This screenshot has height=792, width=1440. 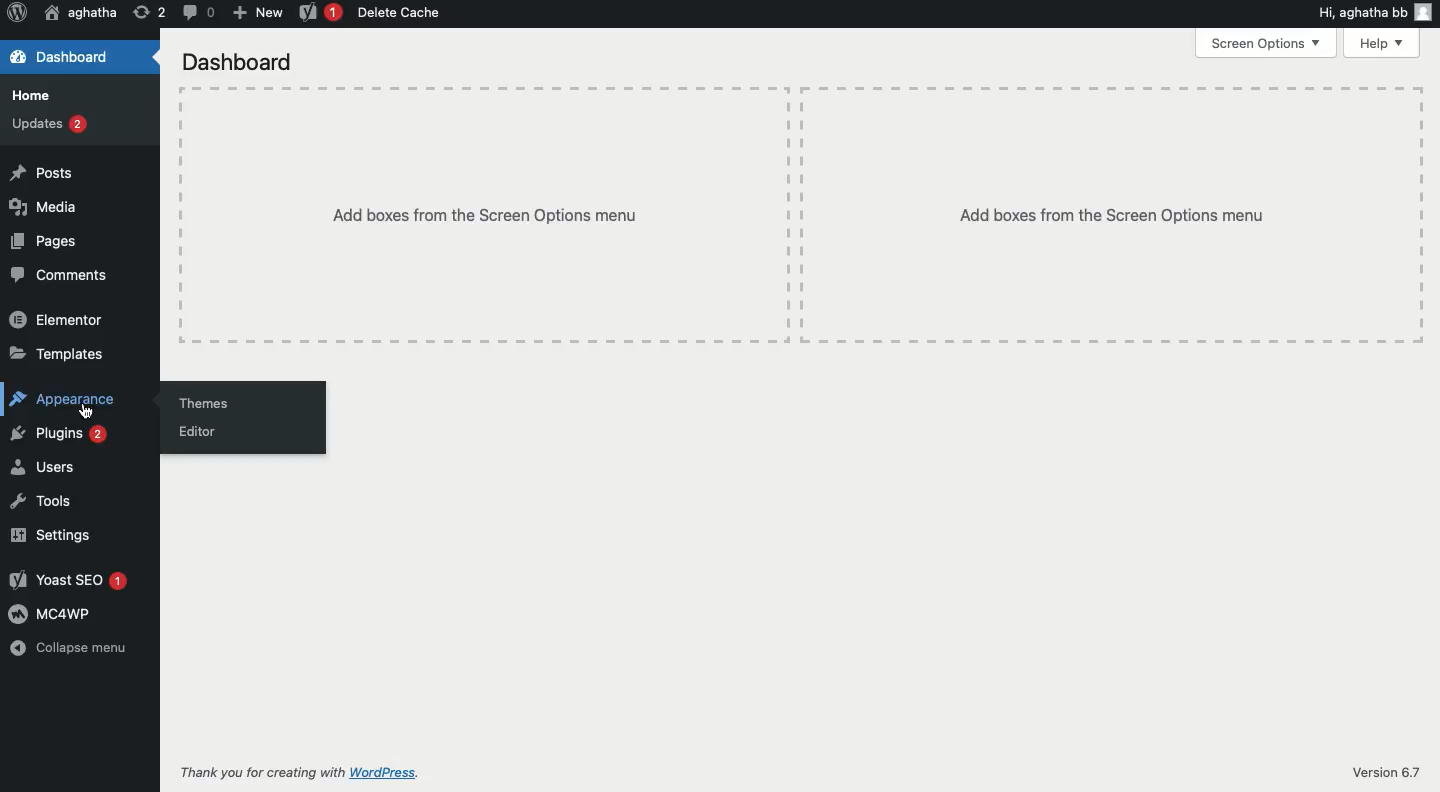 What do you see at coordinates (1381, 771) in the screenshot?
I see `Version 6.7` at bounding box center [1381, 771].